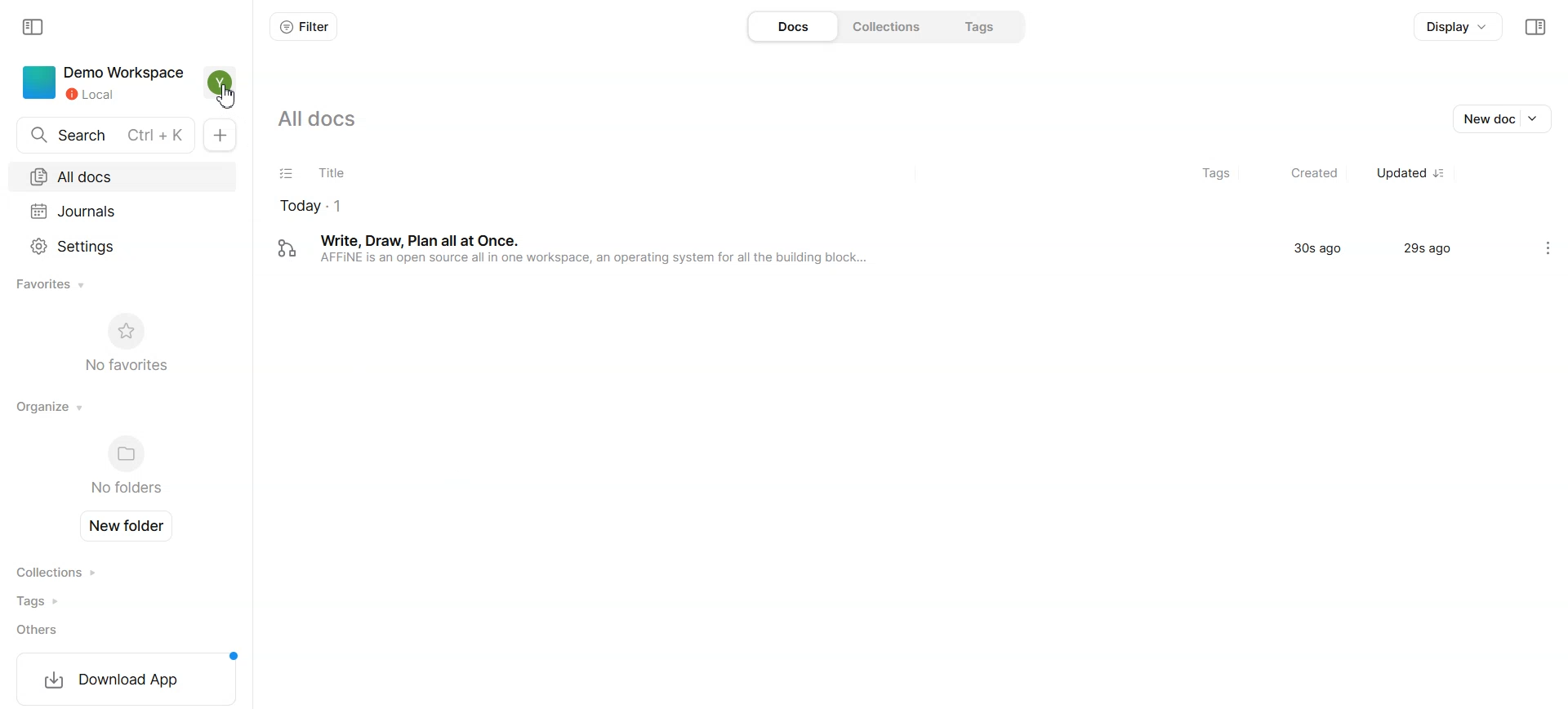 The image size is (1568, 709). I want to click on Today, so click(497, 207).